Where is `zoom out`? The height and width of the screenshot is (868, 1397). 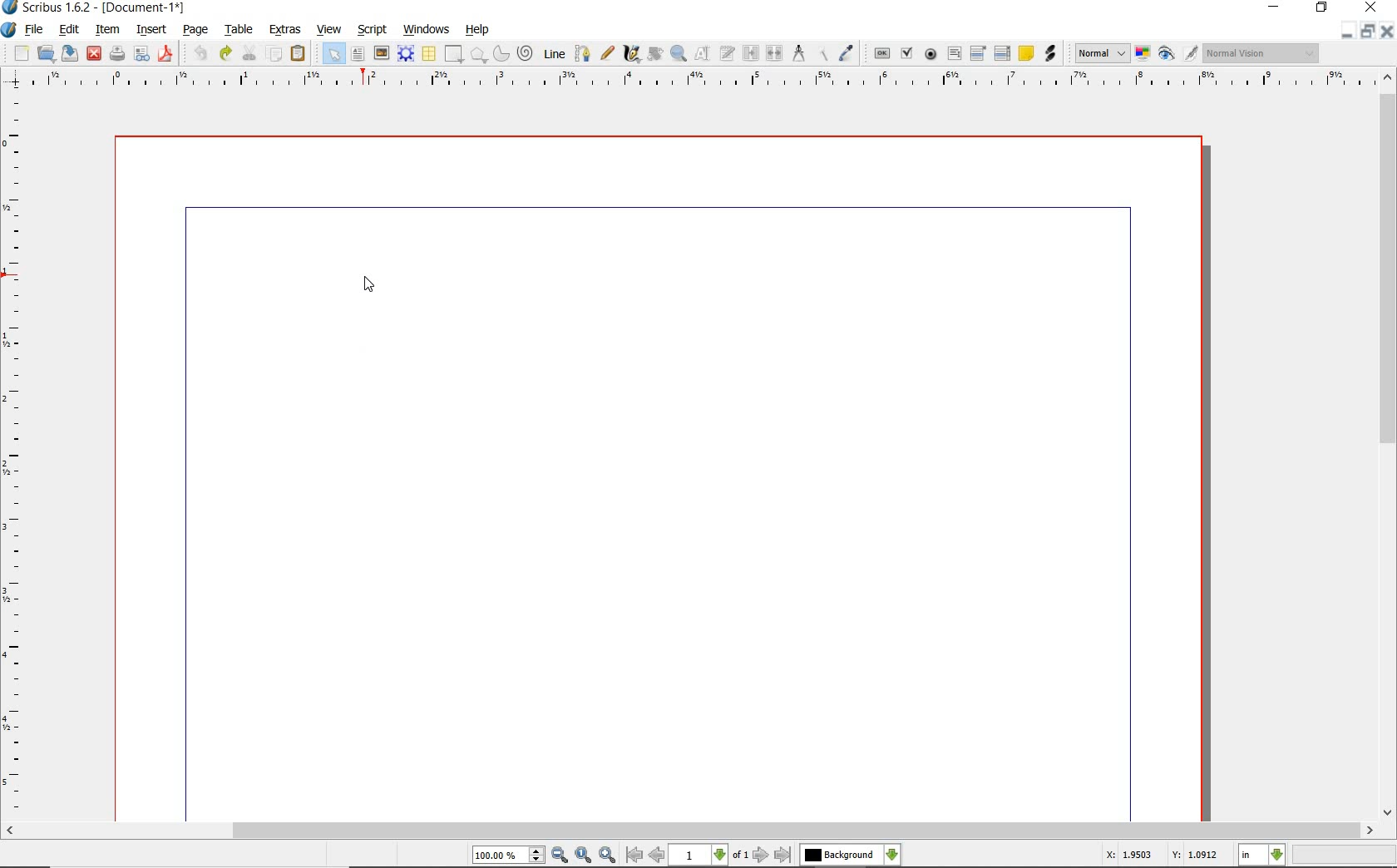 zoom out is located at coordinates (560, 856).